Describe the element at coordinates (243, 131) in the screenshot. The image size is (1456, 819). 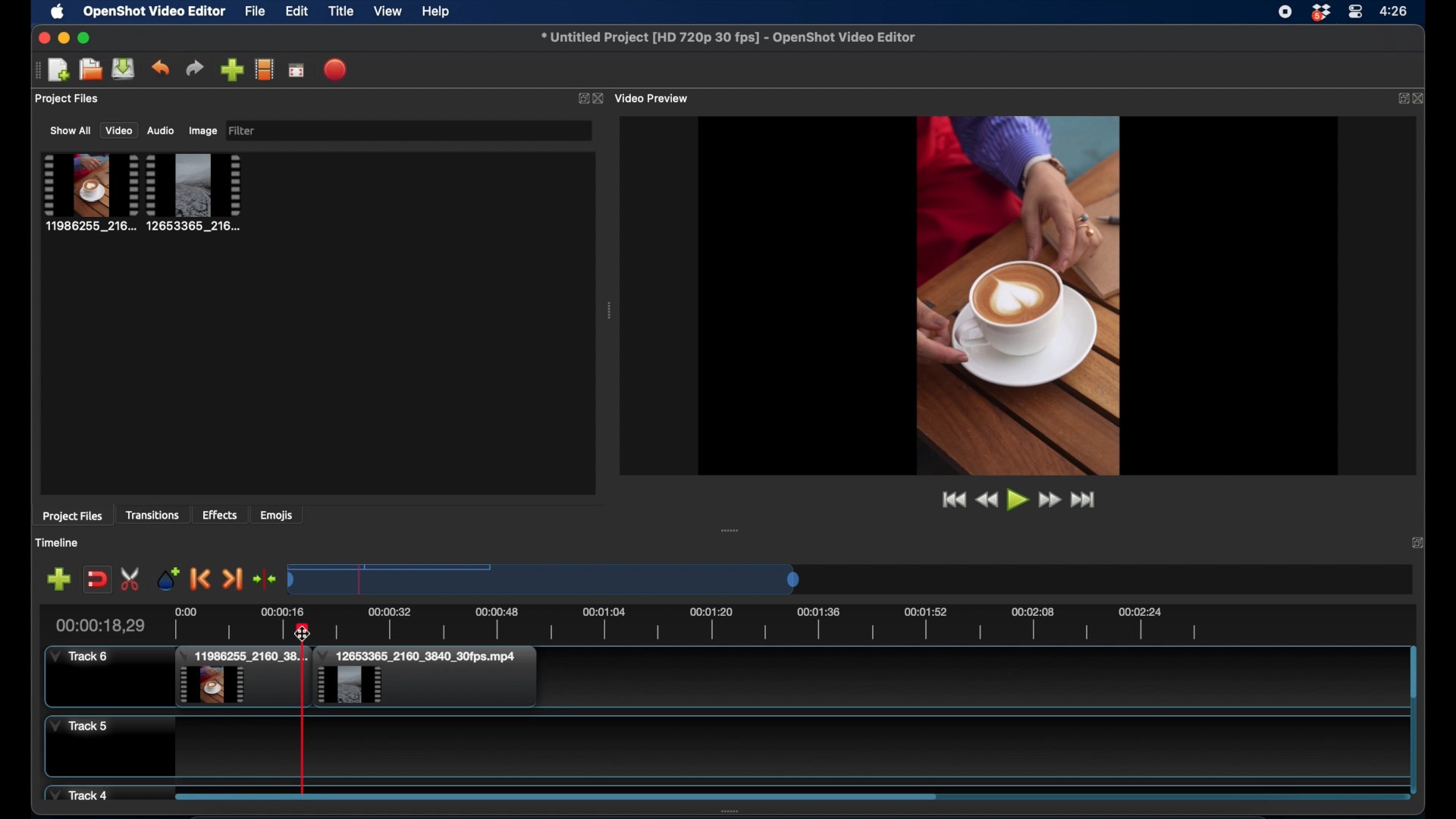
I see `filter` at that location.